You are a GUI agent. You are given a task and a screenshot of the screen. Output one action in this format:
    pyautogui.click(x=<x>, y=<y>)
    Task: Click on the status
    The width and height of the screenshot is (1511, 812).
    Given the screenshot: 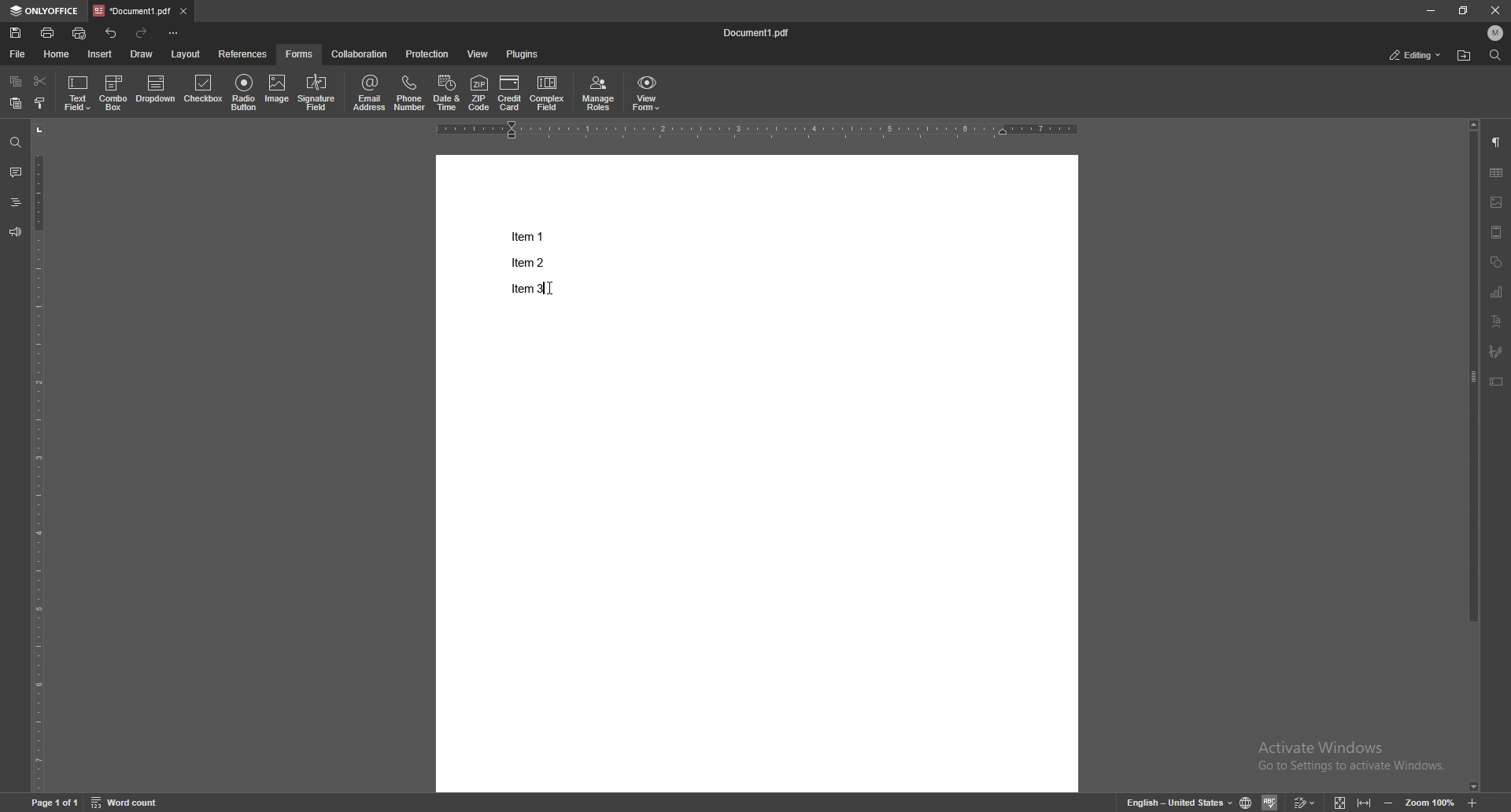 What is the action you would take?
    pyautogui.click(x=1416, y=54)
    